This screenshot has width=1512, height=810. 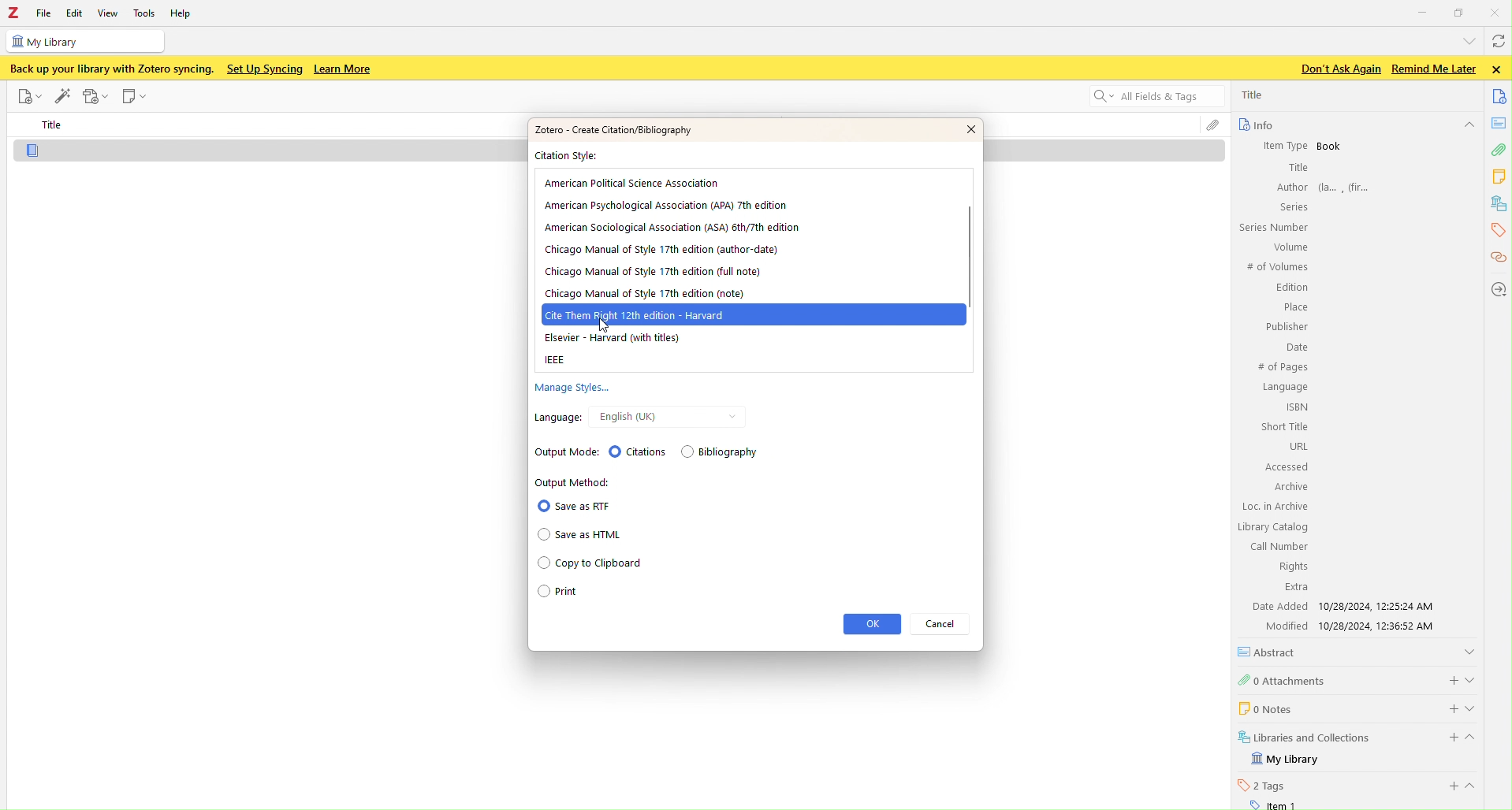 What do you see at coordinates (185, 15) in the screenshot?
I see `Help` at bounding box center [185, 15].